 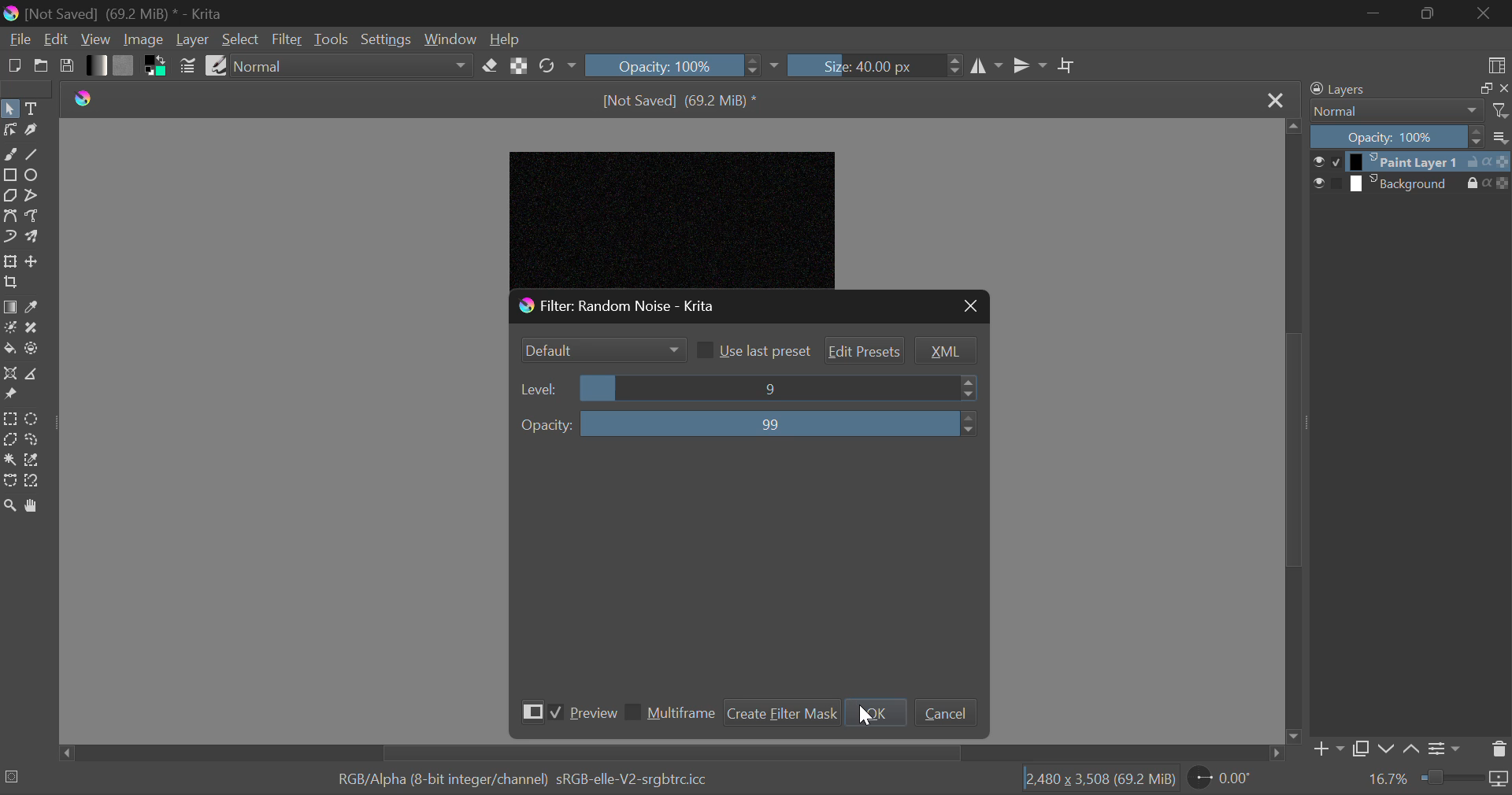 What do you see at coordinates (36, 506) in the screenshot?
I see `Pan` at bounding box center [36, 506].